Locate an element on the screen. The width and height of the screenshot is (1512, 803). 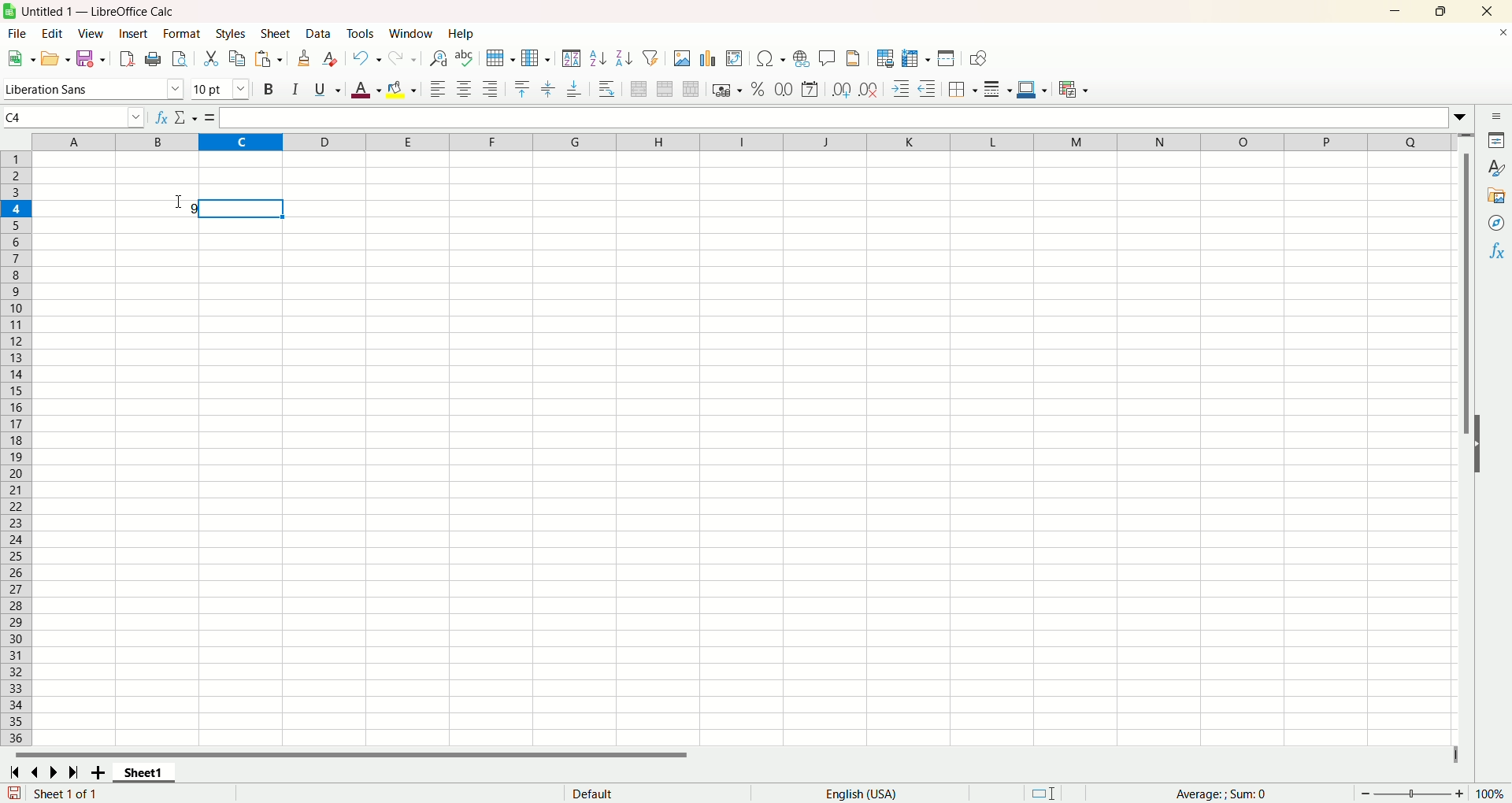
Selection mode is located at coordinates (1057, 791).